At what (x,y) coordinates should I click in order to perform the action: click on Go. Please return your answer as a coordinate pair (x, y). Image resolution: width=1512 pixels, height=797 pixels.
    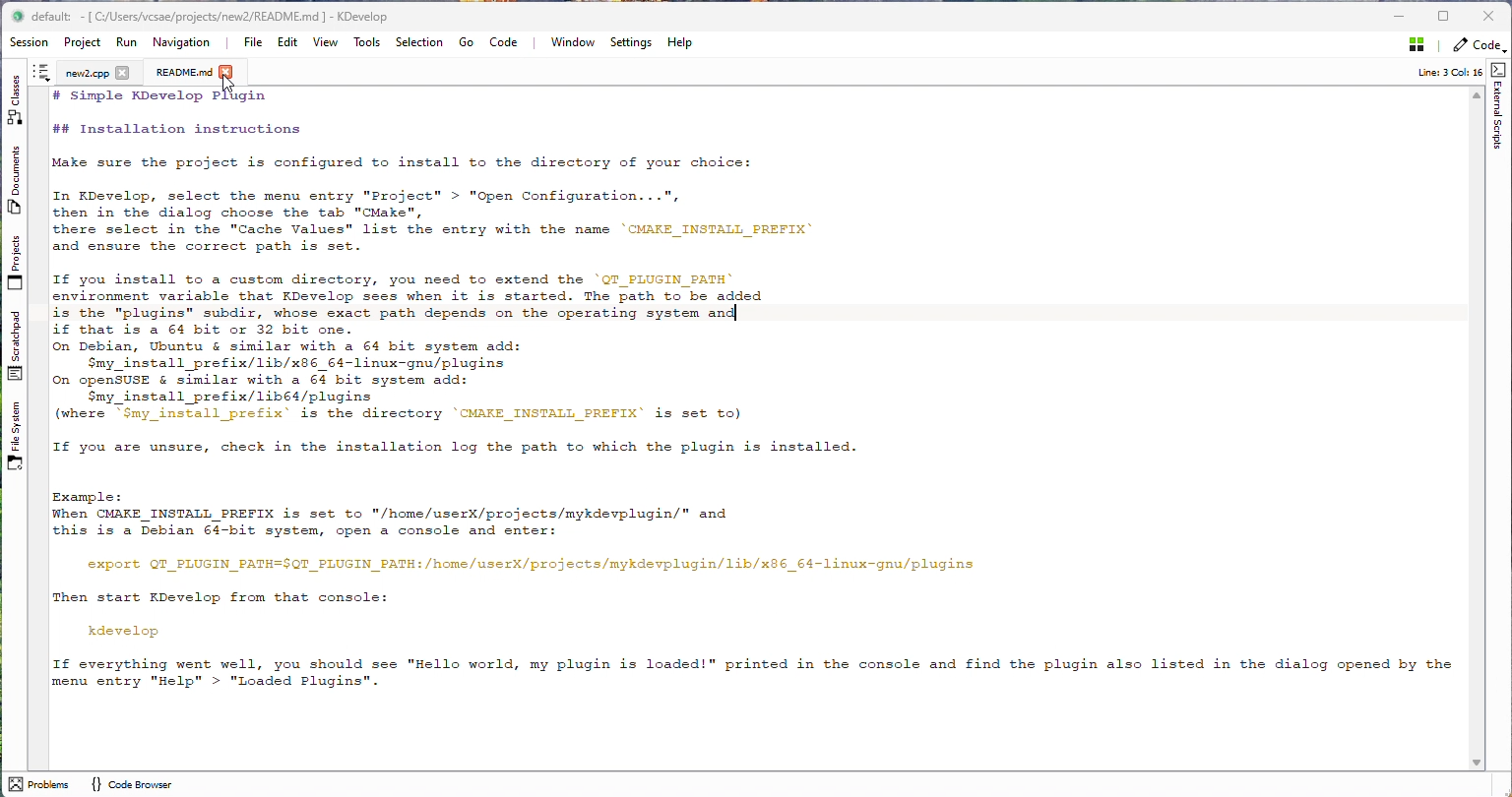
    Looking at the image, I should click on (466, 43).